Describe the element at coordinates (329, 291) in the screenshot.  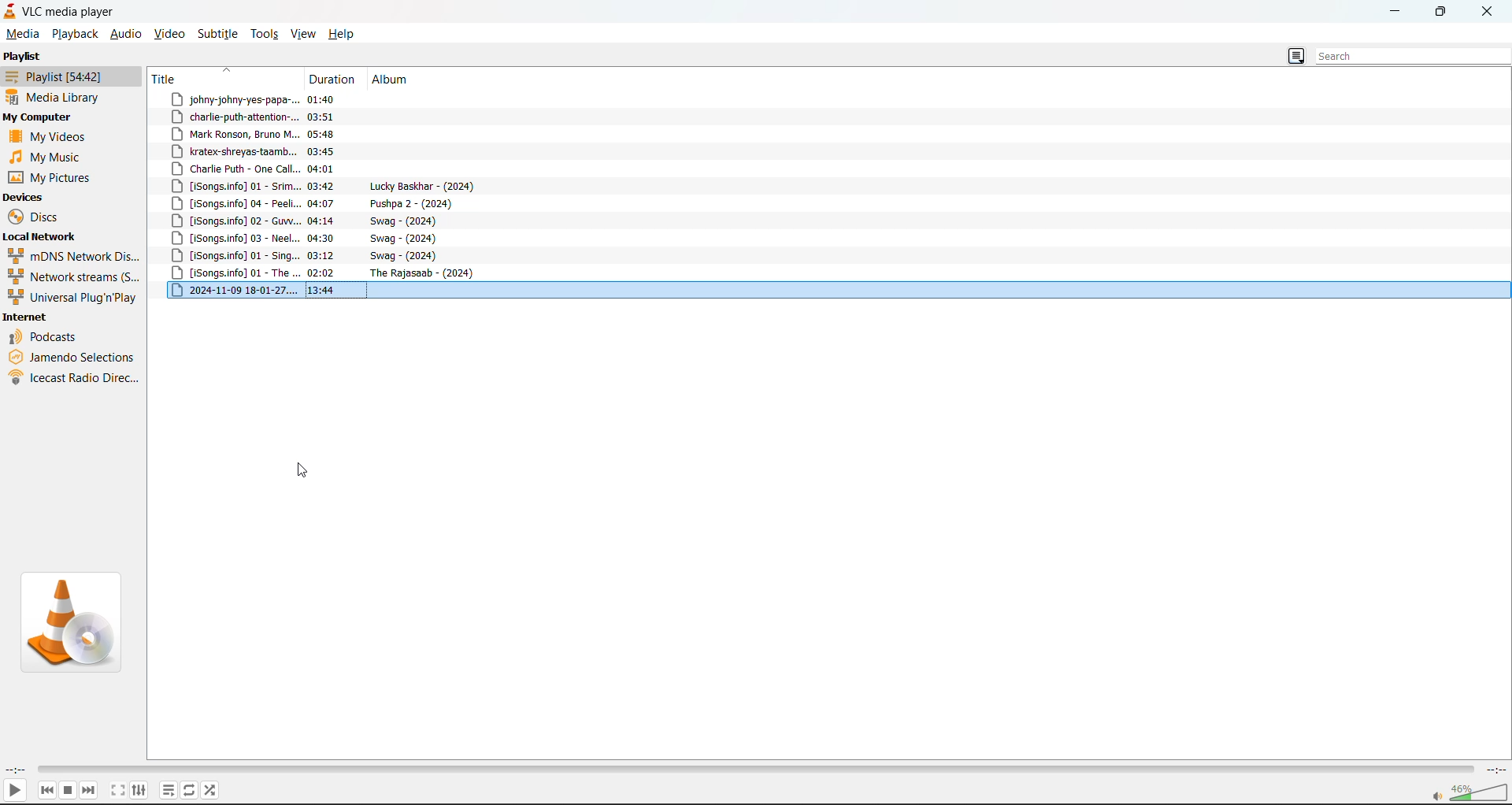
I see `track 12 title, duration and album details` at that location.